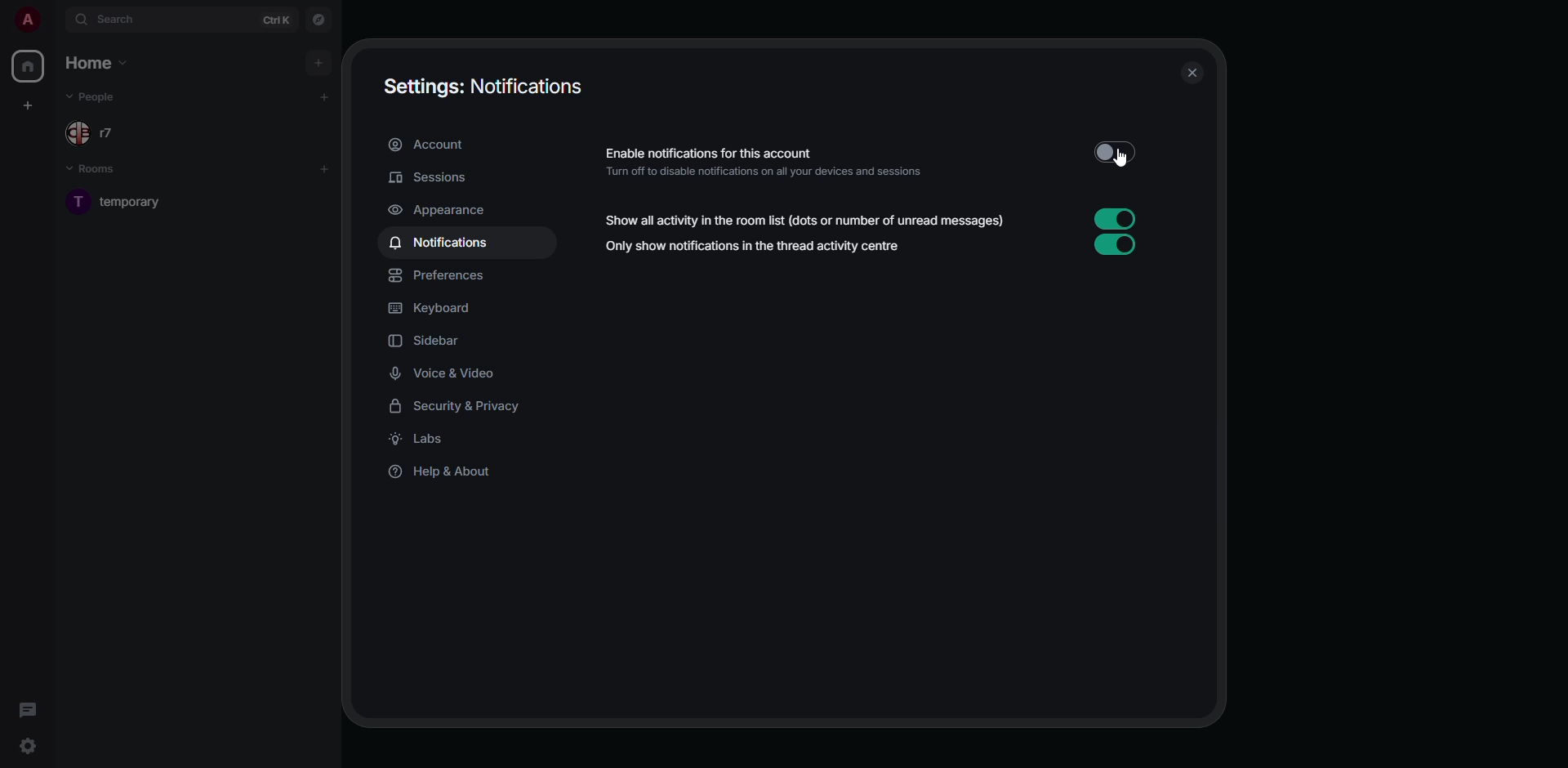  I want to click on enable/disable, so click(1114, 218).